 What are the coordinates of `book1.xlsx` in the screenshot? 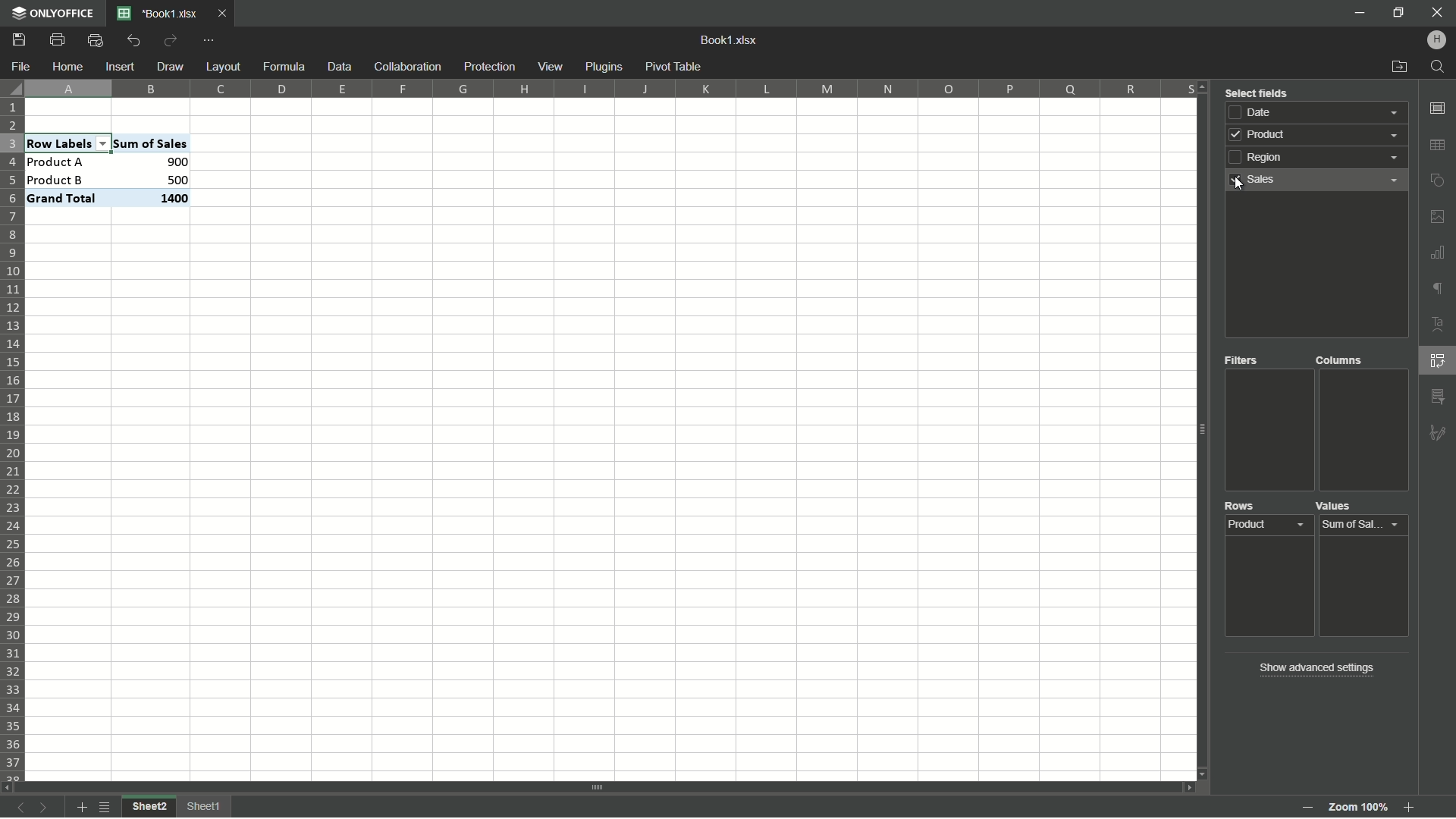 It's located at (731, 40).